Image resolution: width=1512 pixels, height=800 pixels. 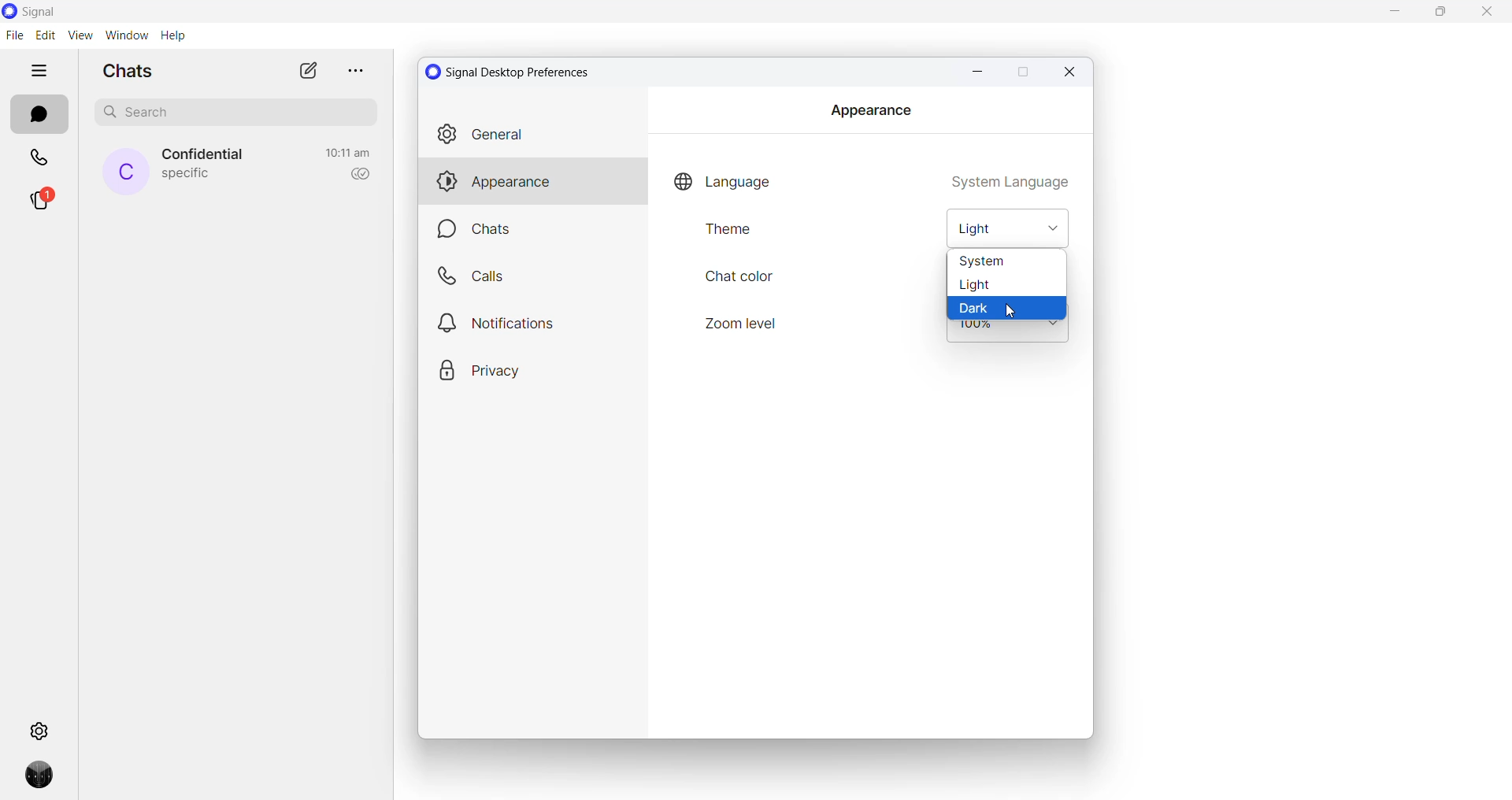 What do you see at coordinates (357, 175) in the screenshot?
I see `read recipient` at bounding box center [357, 175].